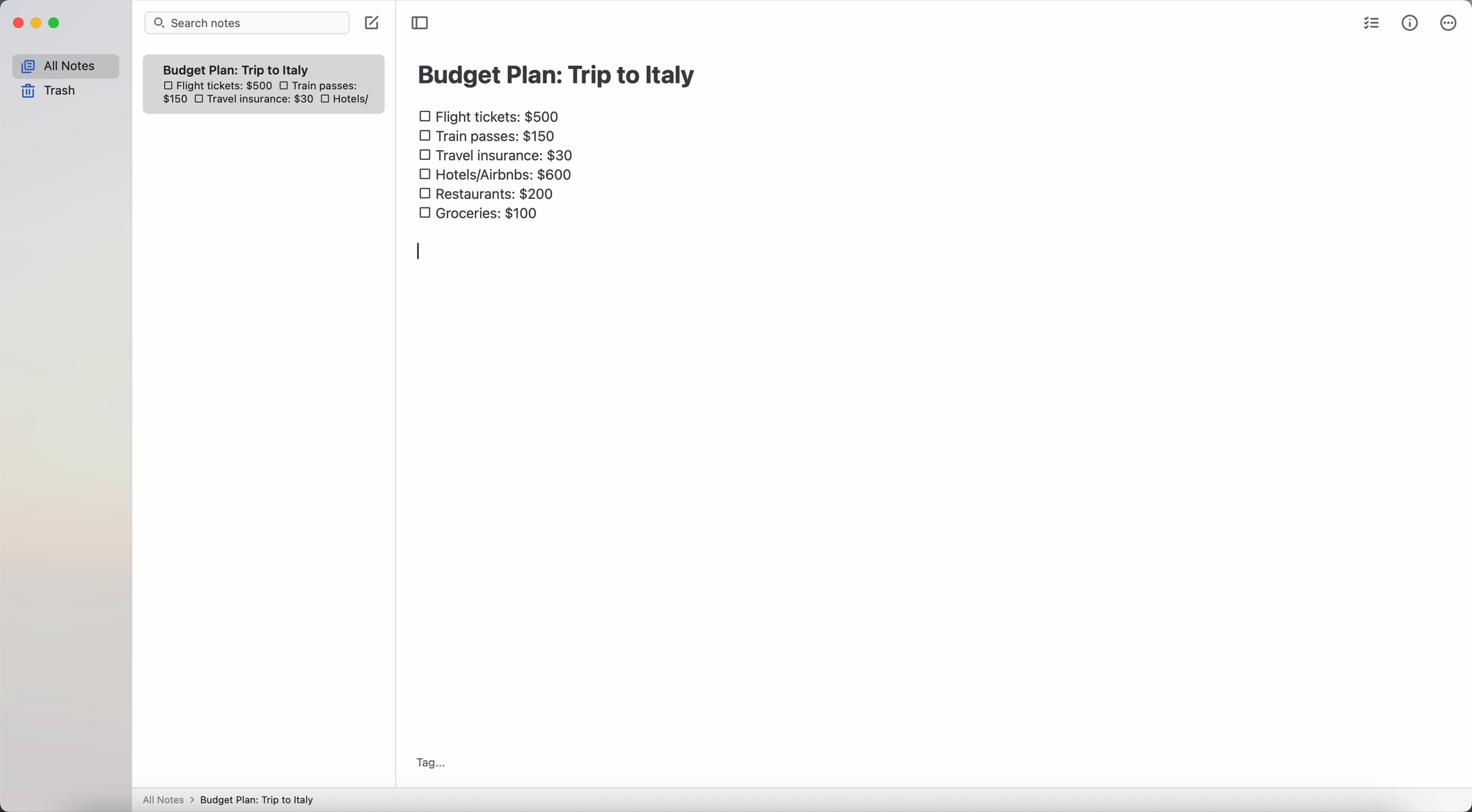  What do you see at coordinates (286, 86) in the screenshot?
I see `checkbox` at bounding box center [286, 86].